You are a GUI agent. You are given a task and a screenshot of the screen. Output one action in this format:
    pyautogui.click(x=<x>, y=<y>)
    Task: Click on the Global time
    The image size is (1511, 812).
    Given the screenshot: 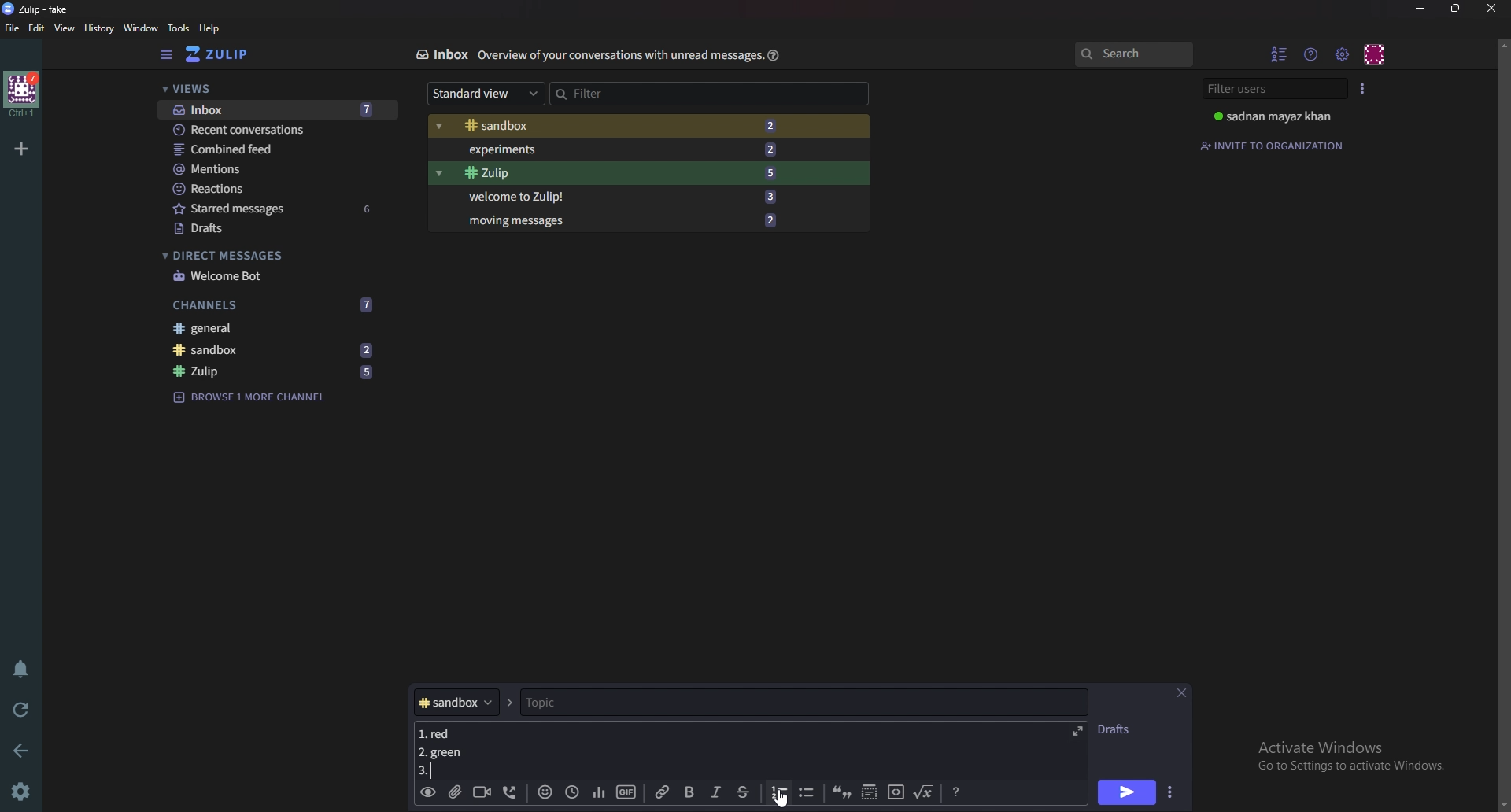 What is the action you would take?
    pyautogui.click(x=571, y=791)
    